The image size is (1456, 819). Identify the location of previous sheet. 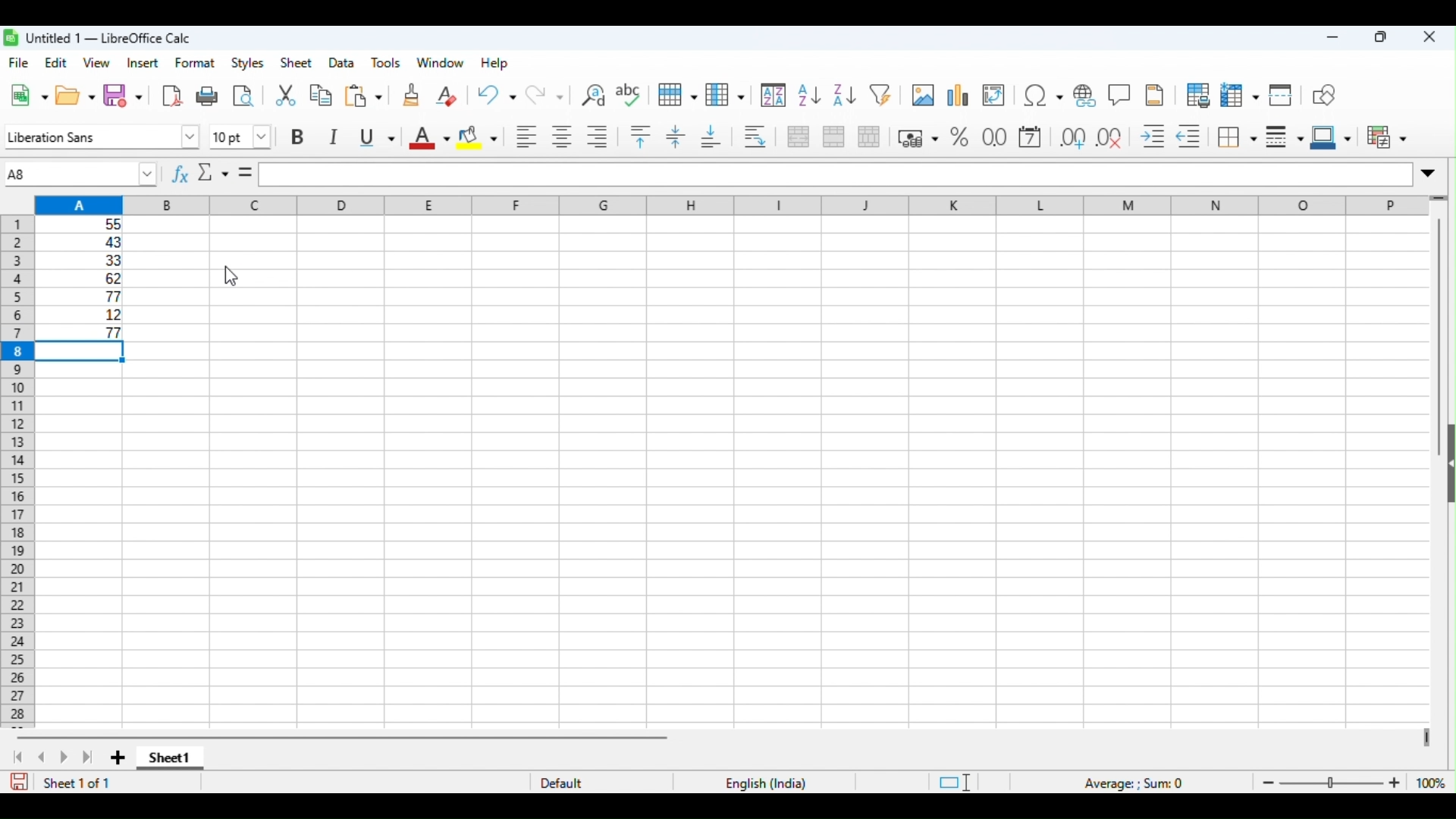
(44, 757).